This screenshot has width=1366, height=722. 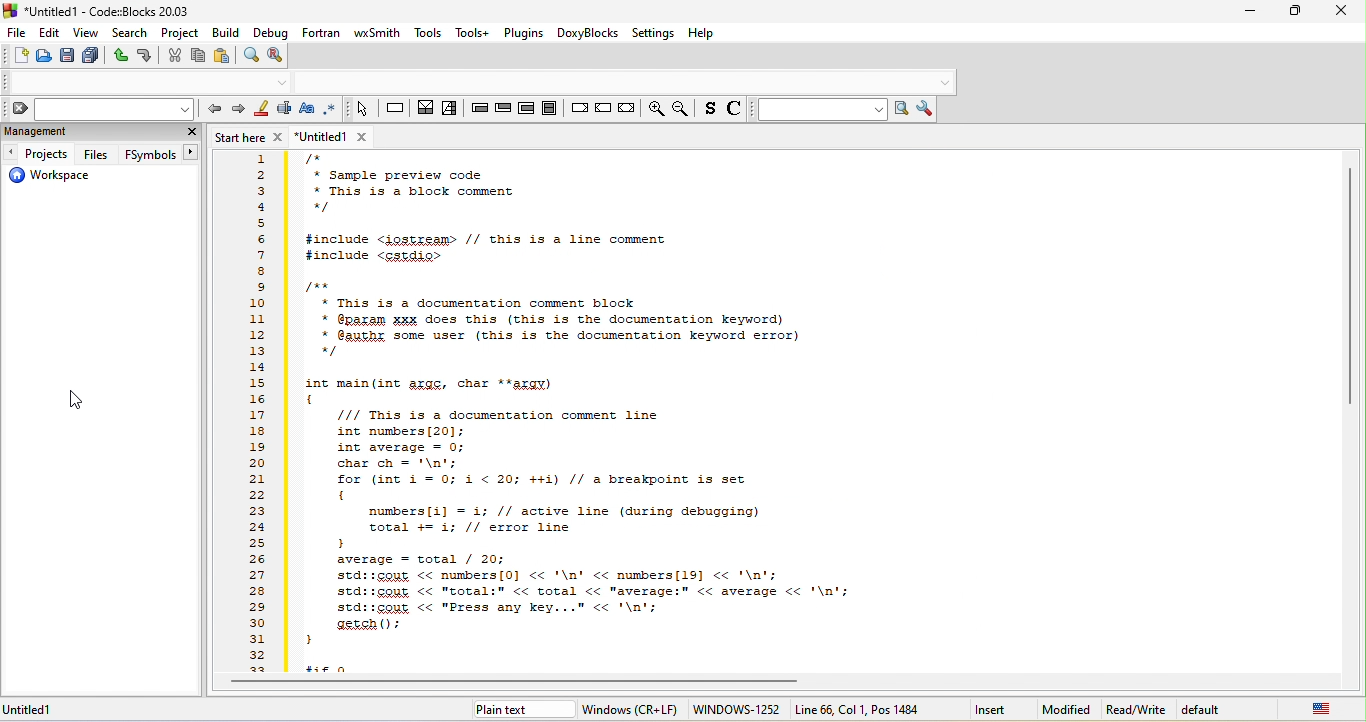 What do you see at coordinates (182, 34) in the screenshot?
I see `project` at bounding box center [182, 34].